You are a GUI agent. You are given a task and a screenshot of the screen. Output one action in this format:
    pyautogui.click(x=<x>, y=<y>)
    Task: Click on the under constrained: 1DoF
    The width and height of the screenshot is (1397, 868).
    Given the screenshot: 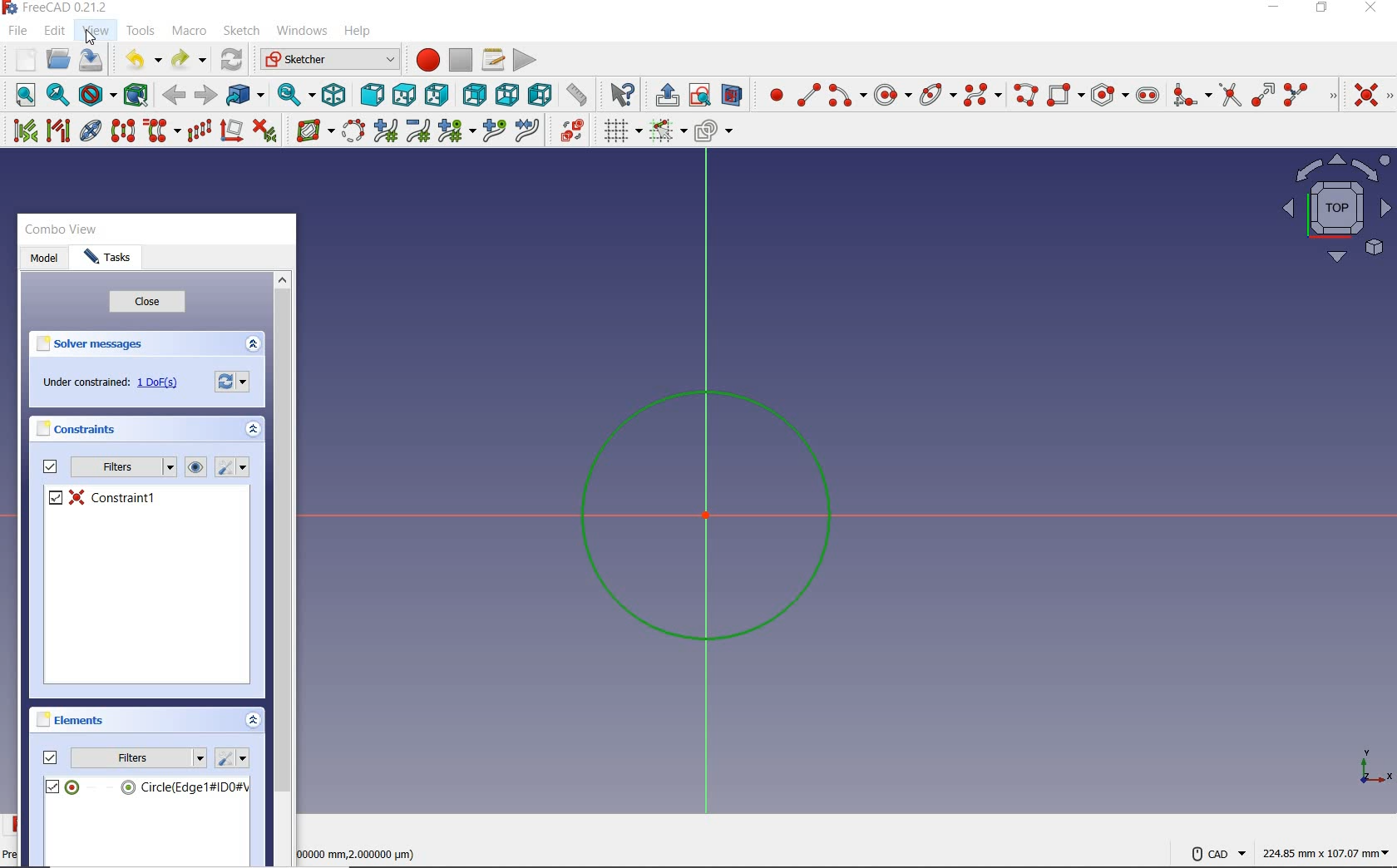 What is the action you would take?
    pyautogui.click(x=113, y=383)
    